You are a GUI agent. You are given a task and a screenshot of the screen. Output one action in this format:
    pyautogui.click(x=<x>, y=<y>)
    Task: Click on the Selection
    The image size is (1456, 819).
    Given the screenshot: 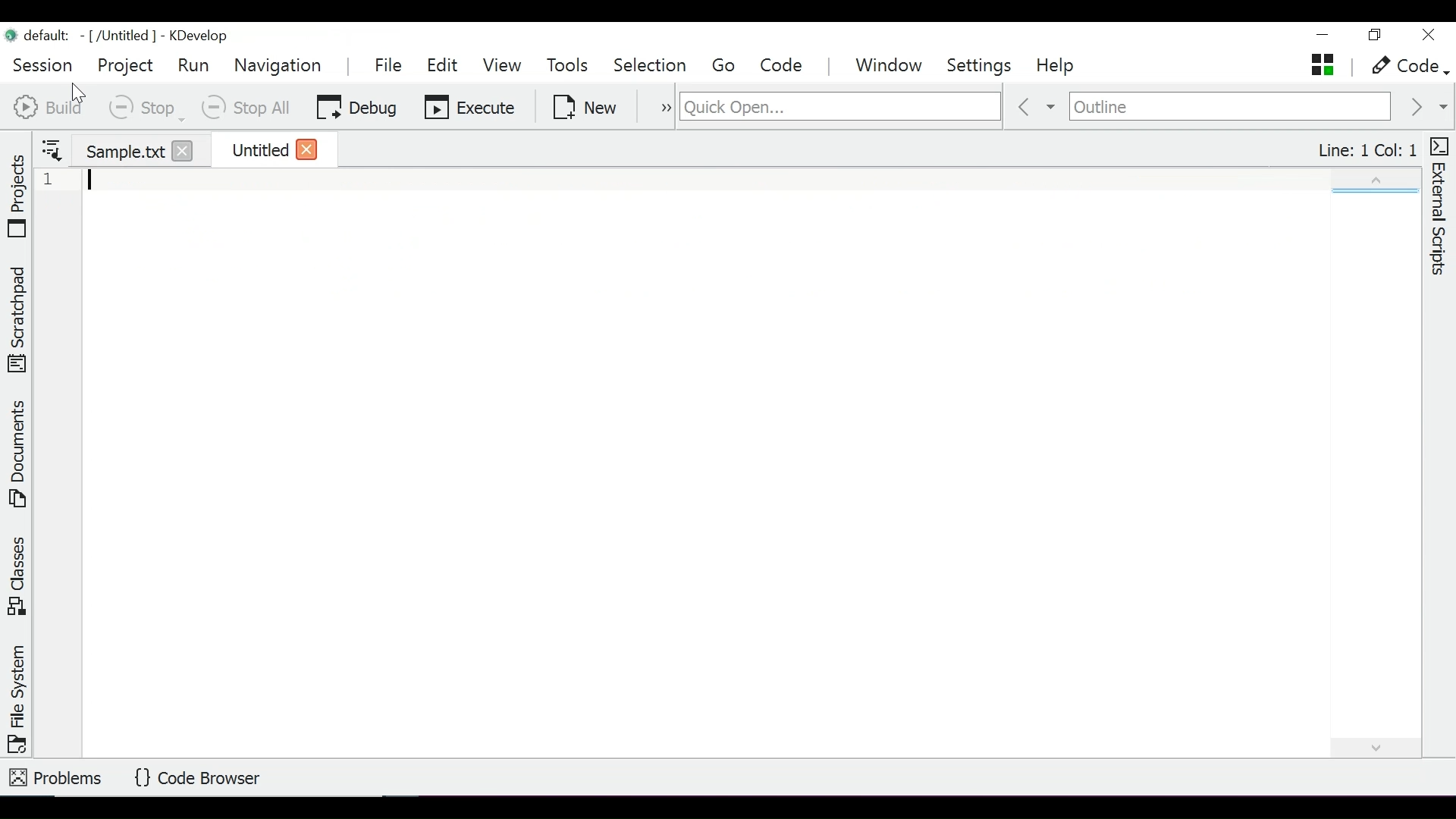 What is the action you would take?
    pyautogui.click(x=652, y=67)
    